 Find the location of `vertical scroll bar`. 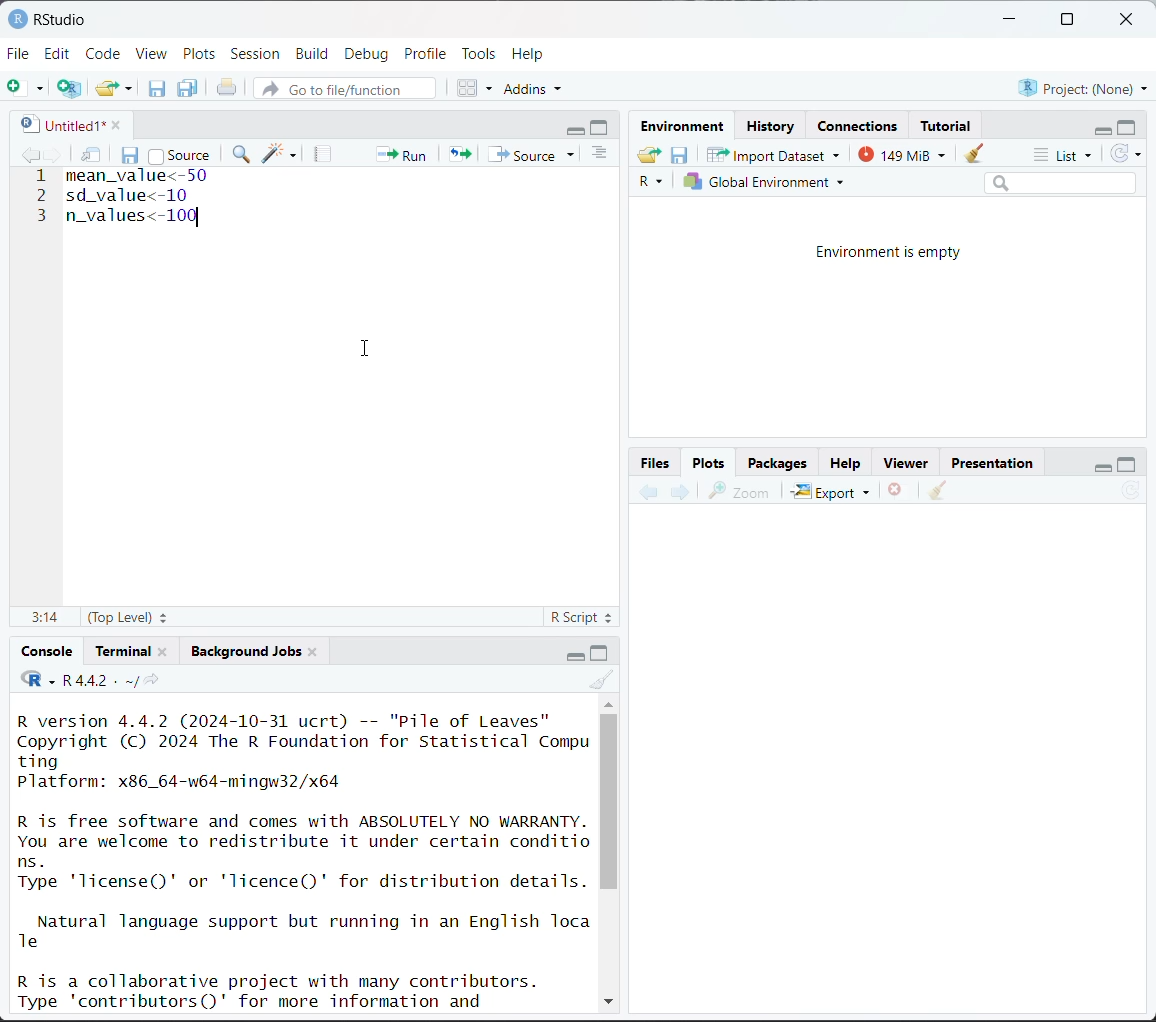

vertical scroll bar is located at coordinates (609, 801).